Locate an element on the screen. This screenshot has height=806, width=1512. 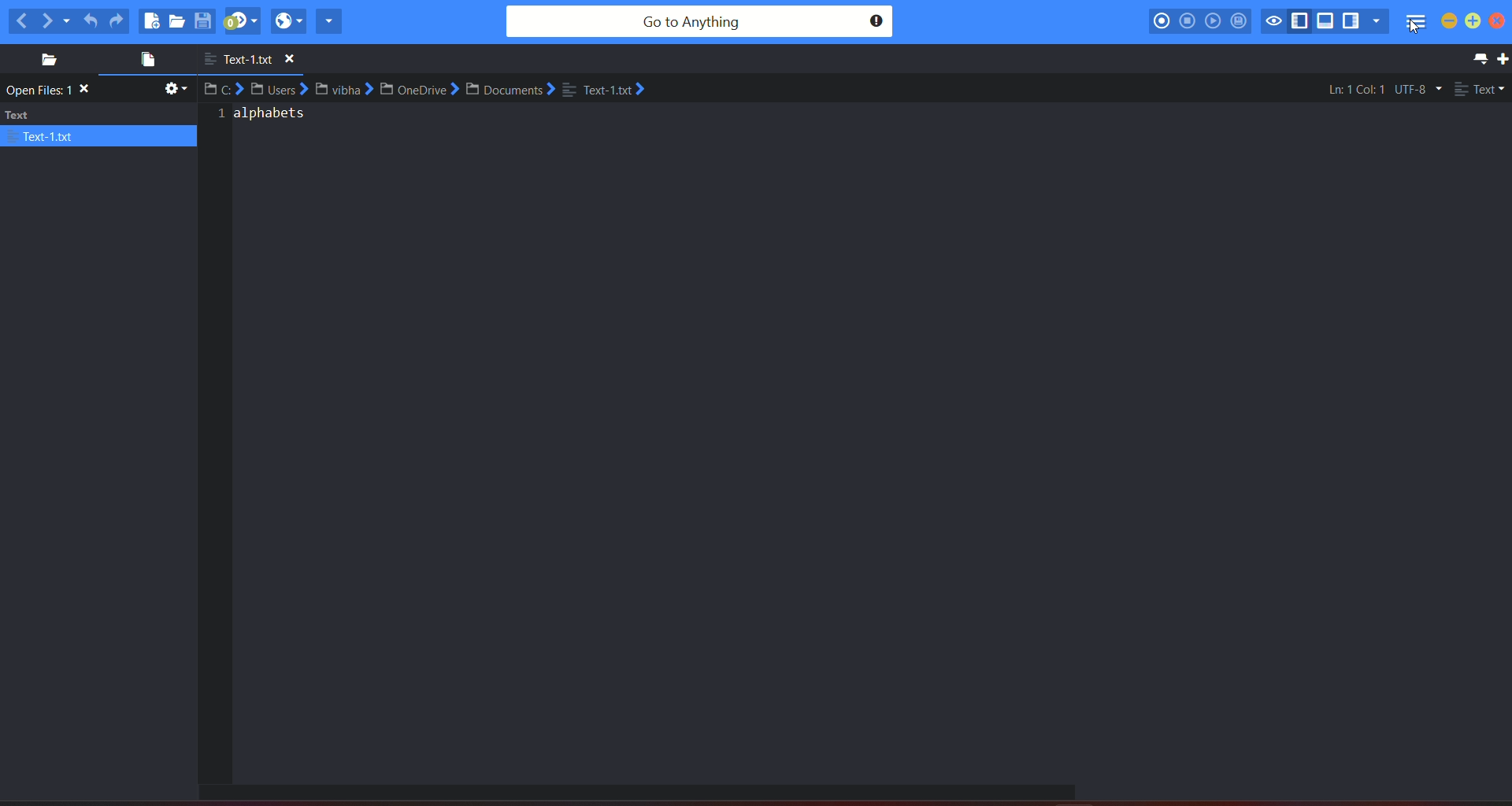
file type is located at coordinates (1480, 91).